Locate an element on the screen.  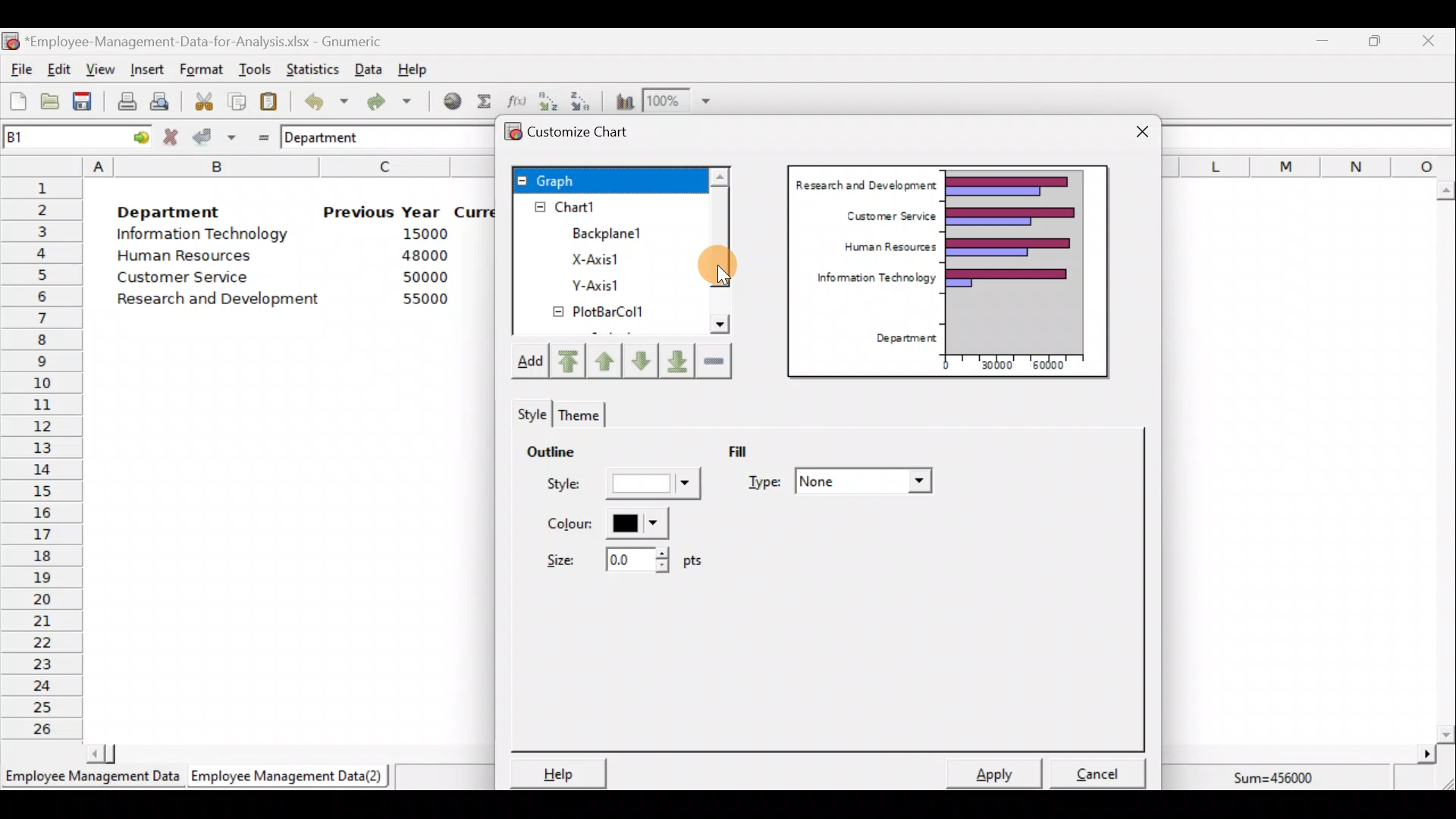
0 is located at coordinates (946, 365).